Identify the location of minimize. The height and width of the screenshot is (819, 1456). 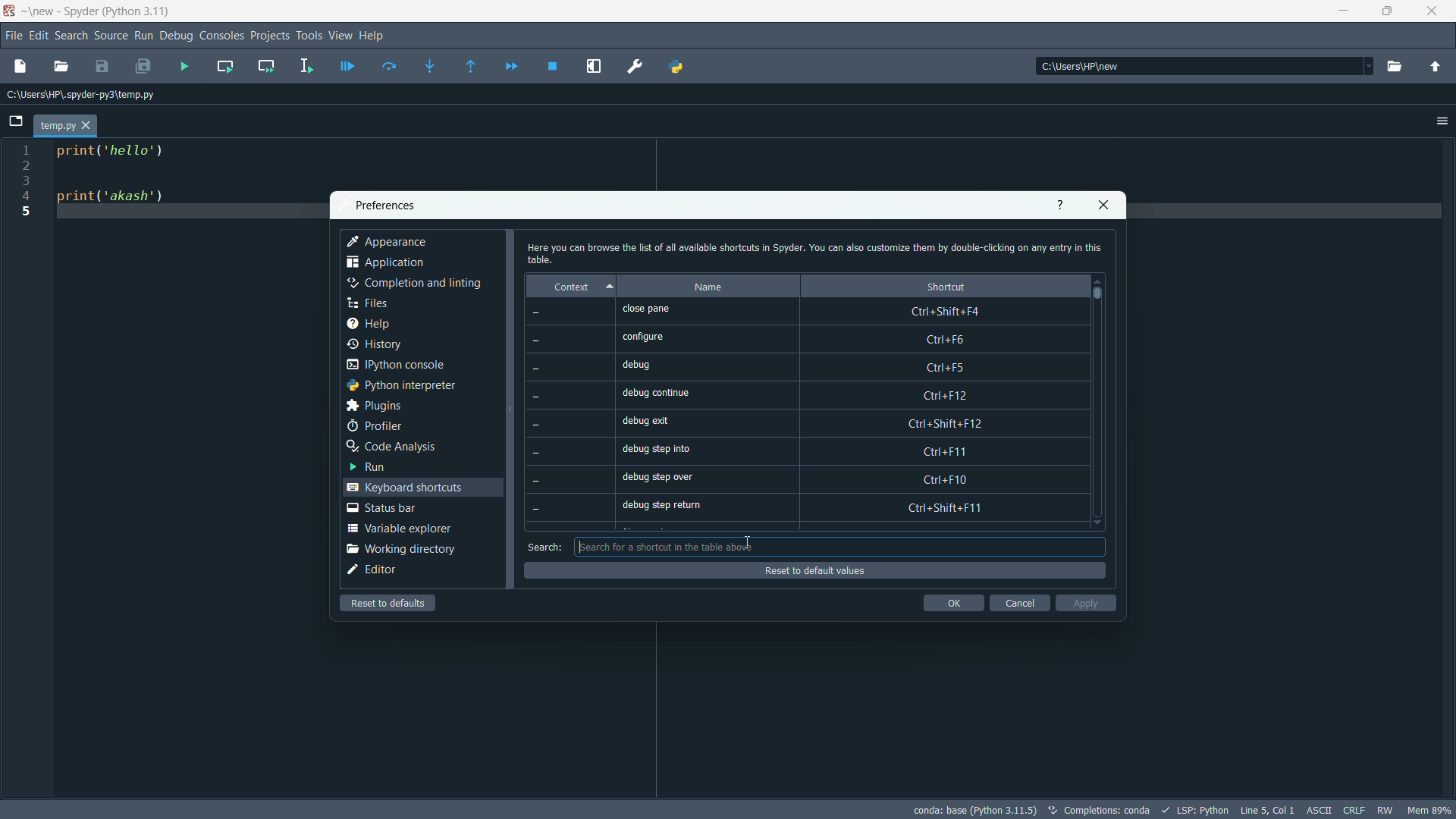
(1341, 9).